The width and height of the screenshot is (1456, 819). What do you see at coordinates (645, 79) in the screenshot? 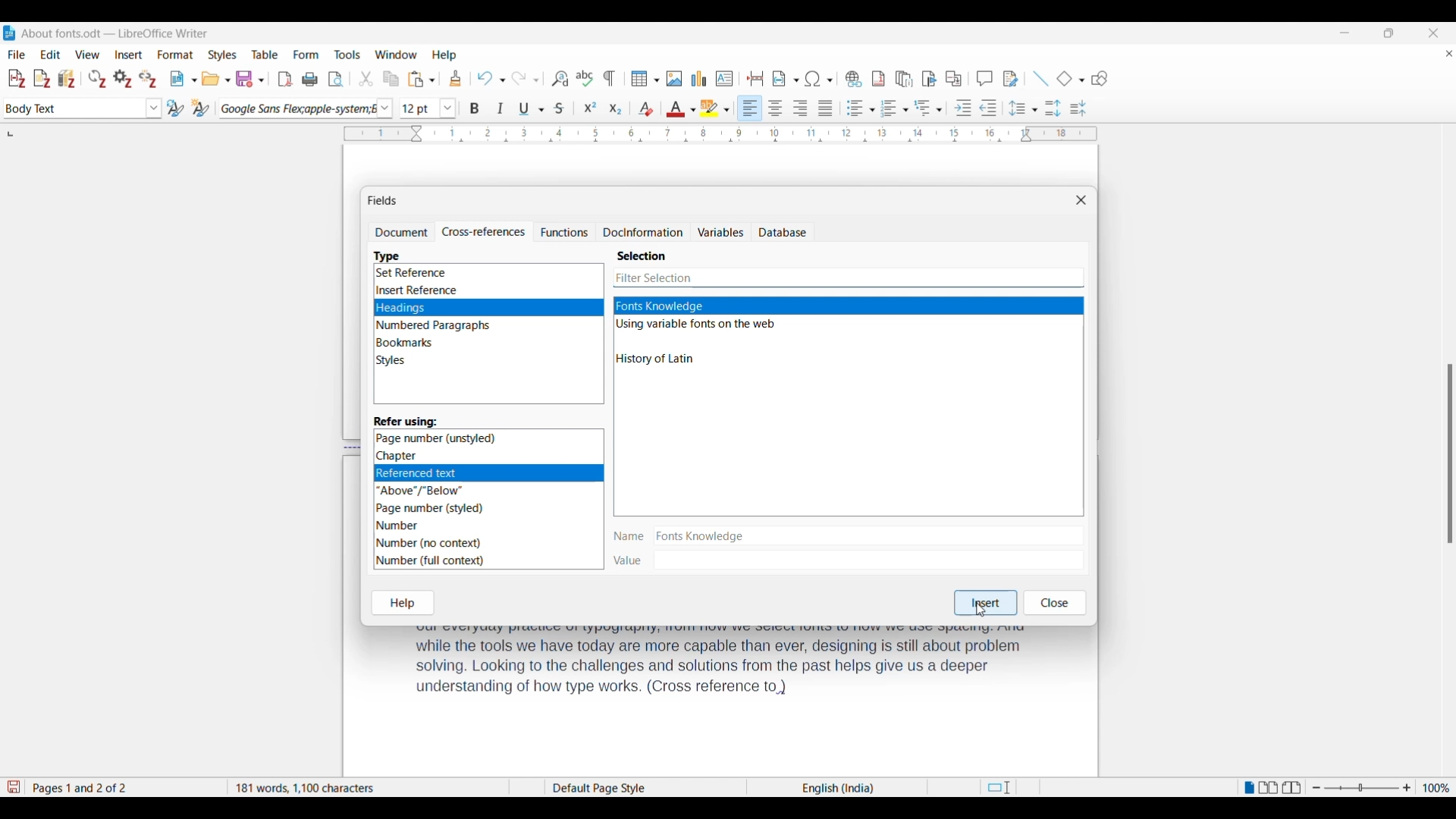
I see `Insert table` at bounding box center [645, 79].